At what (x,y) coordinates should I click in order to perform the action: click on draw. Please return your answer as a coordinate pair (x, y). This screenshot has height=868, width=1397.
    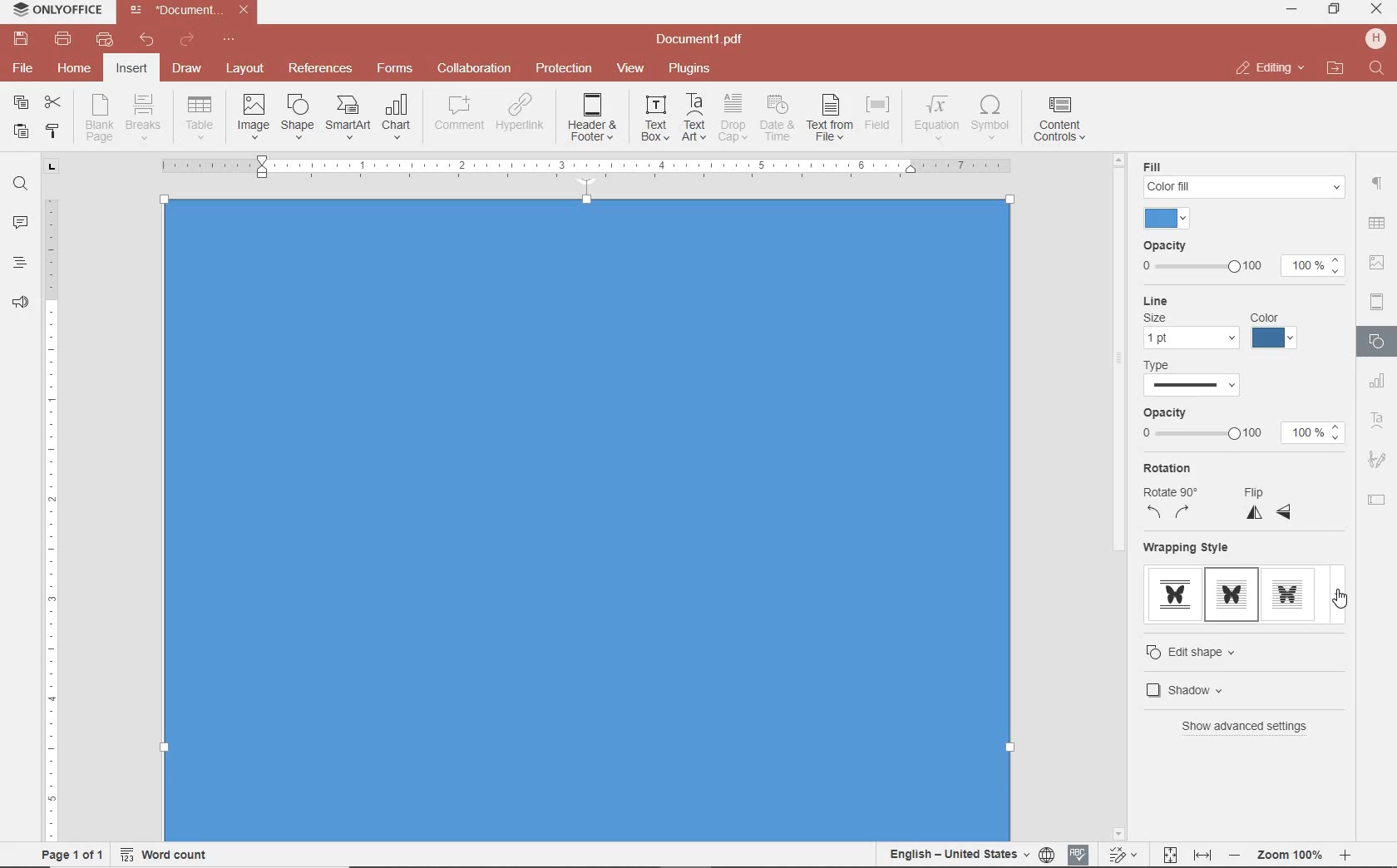
    Looking at the image, I should click on (188, 67).